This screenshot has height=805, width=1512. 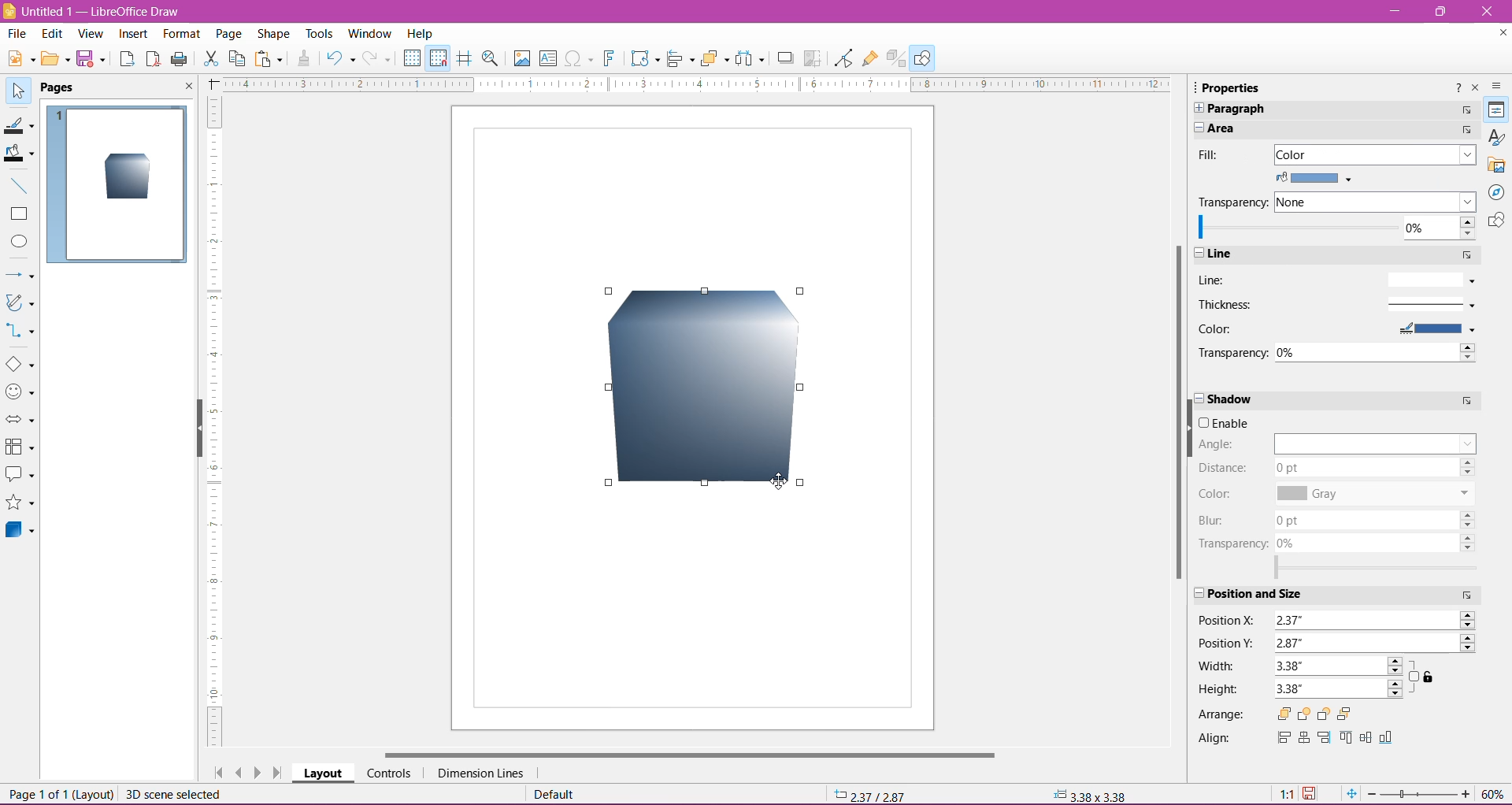 I want to click on Close Document, so click(x=1499, y=35).